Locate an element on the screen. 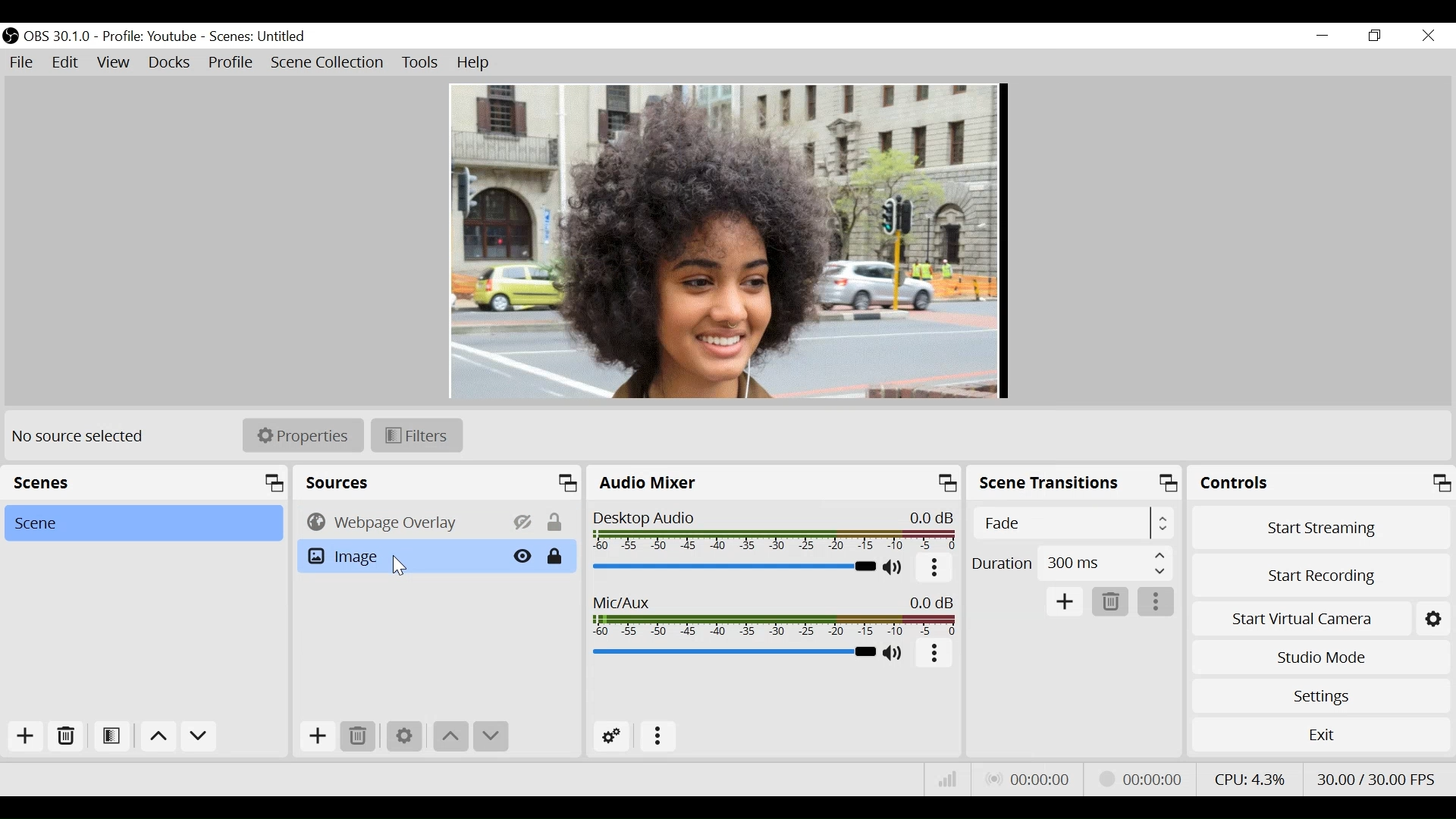  Delete is located at coordinates (362, 735).